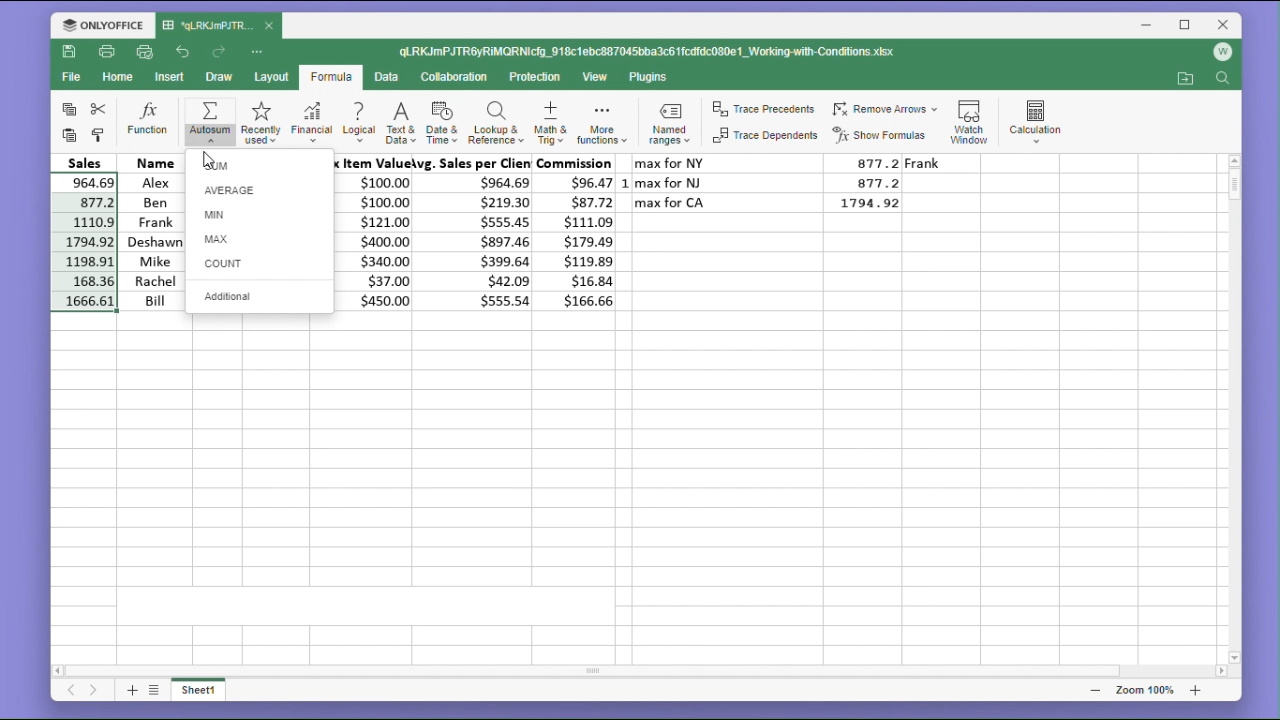  Describe the element at coordinates (1041, 118) in the screenshot. I see `calculation` at that location.